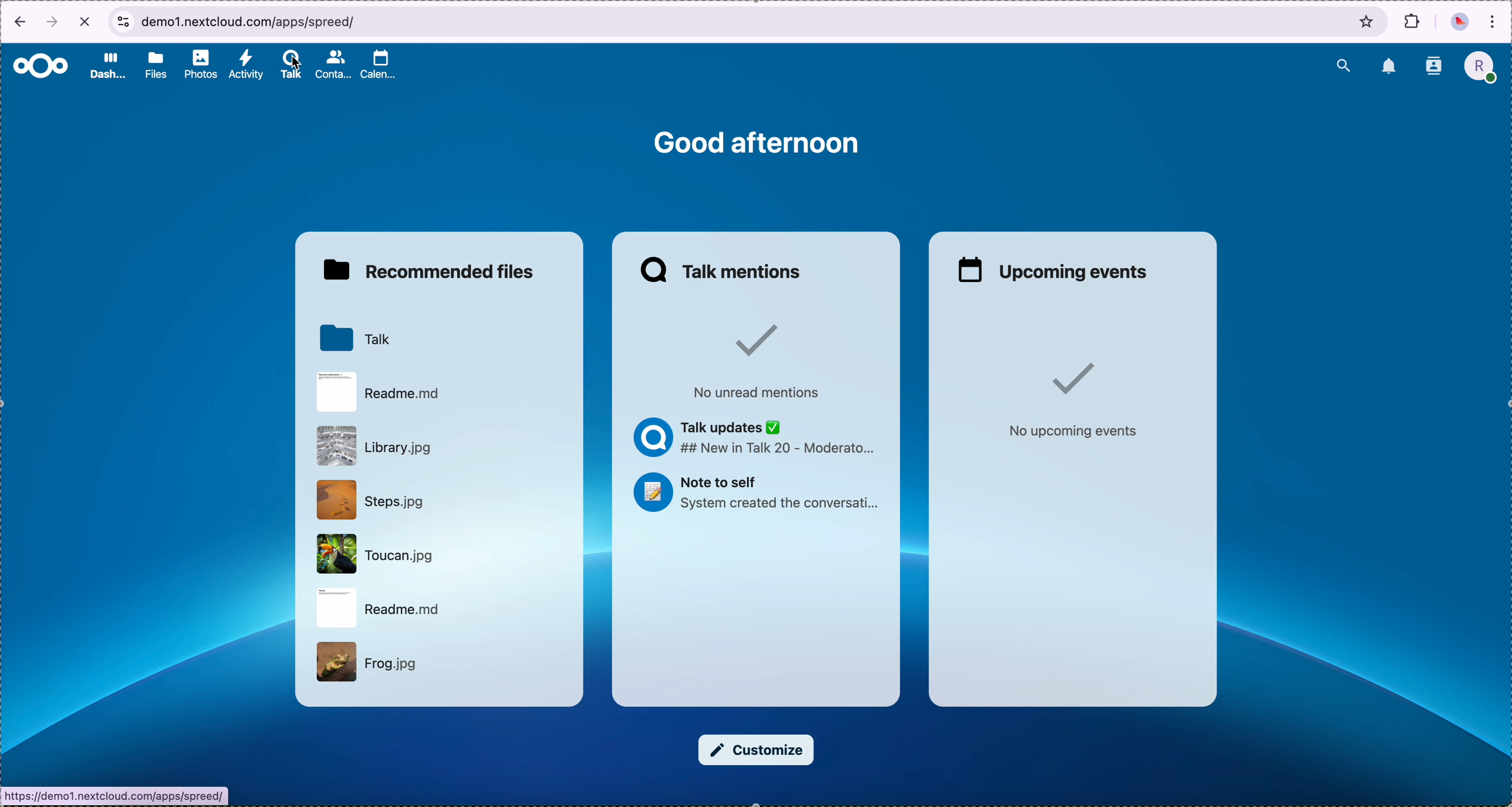 The image size is (1512, 807). Describe the element at coordinates (437, 608) in the screenshot. I see `Readme.md` at that location.